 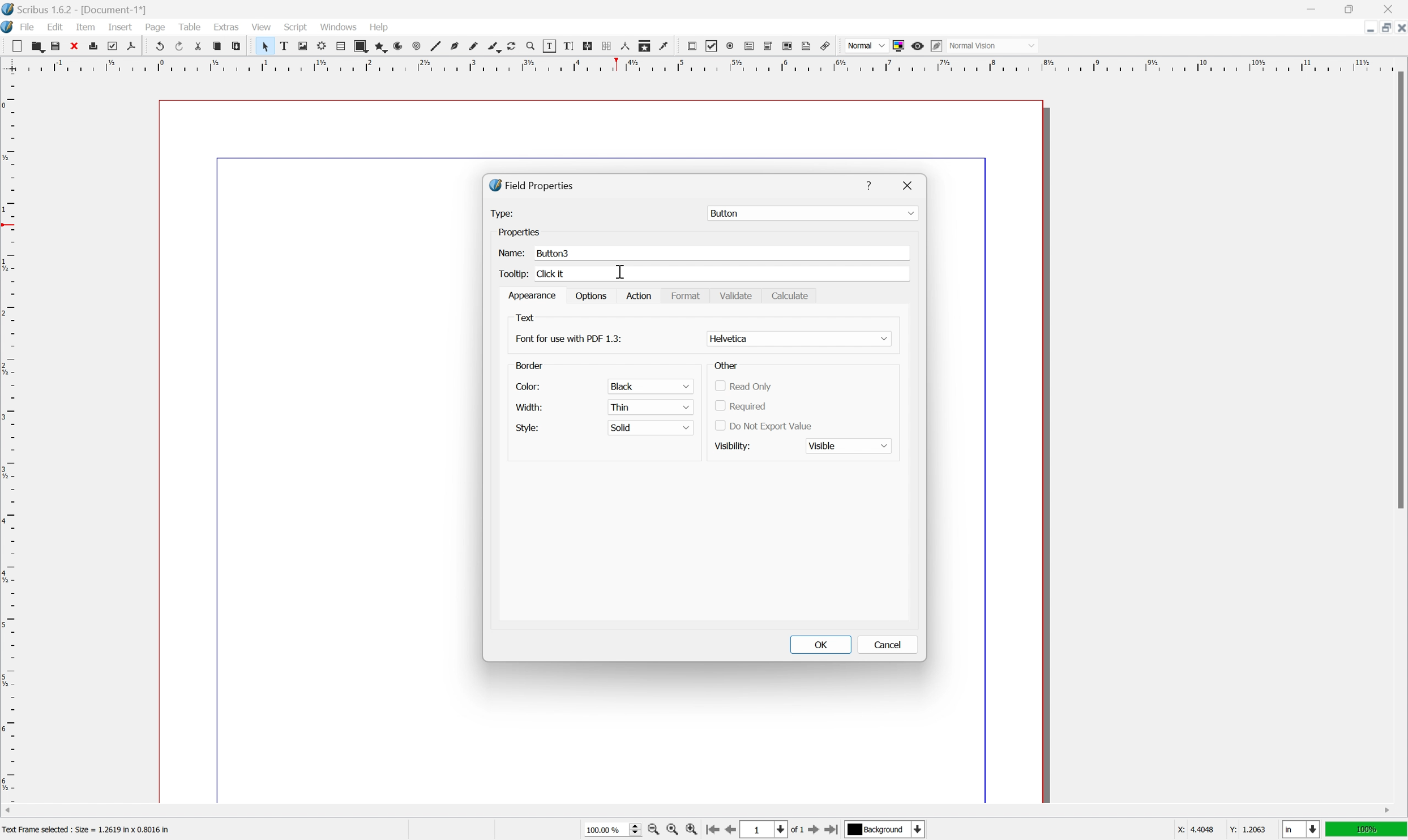 What do you see at coordinates (132, 46) in the screenshot?
I see `save as pdf` at bounding box center [132, 46].